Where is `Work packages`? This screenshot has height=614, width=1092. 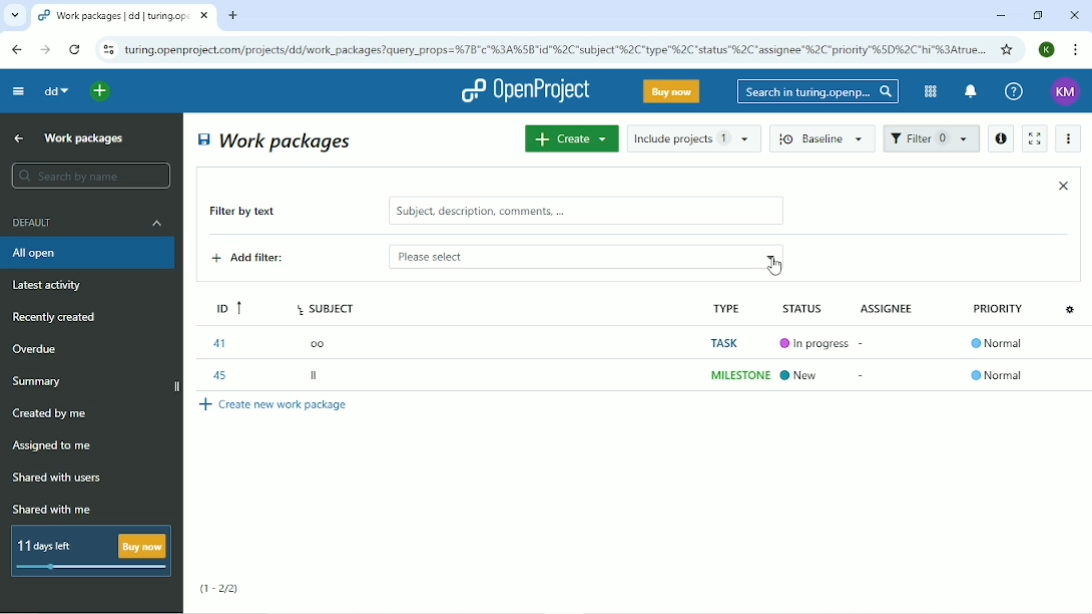 Work packages is located at coordinates (276, 140).